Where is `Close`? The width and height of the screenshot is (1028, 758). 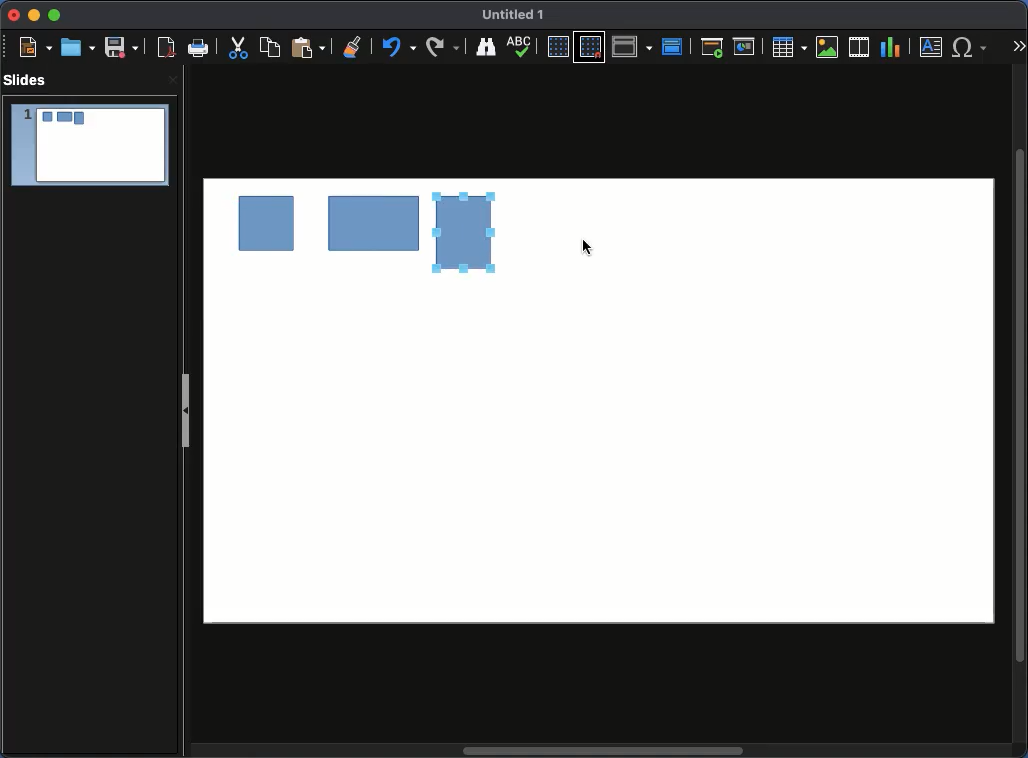
Close is located at coordinates (15, 15).